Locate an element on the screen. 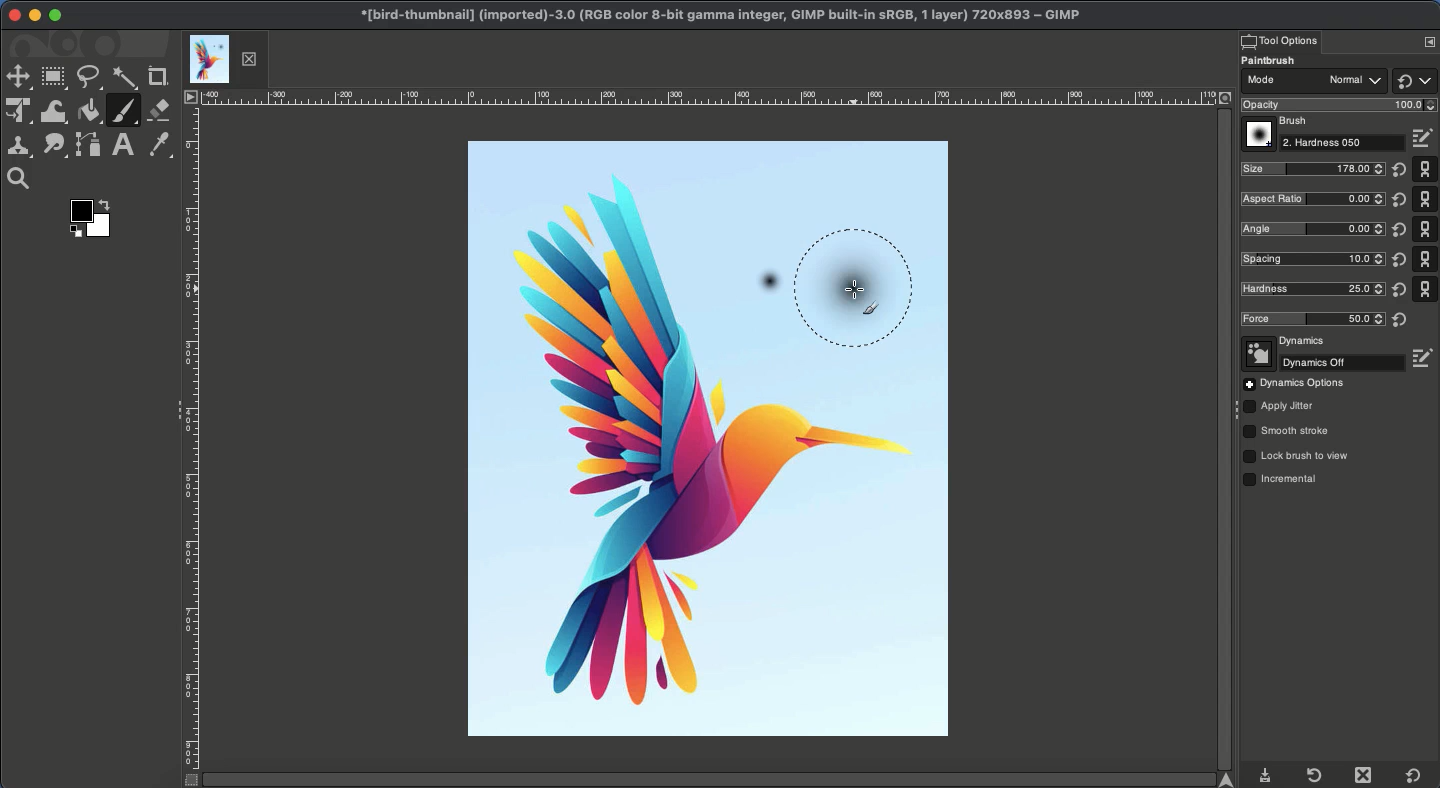 This screenshot has width=1440, height=788. Clone is located at coordinates (19, 149).